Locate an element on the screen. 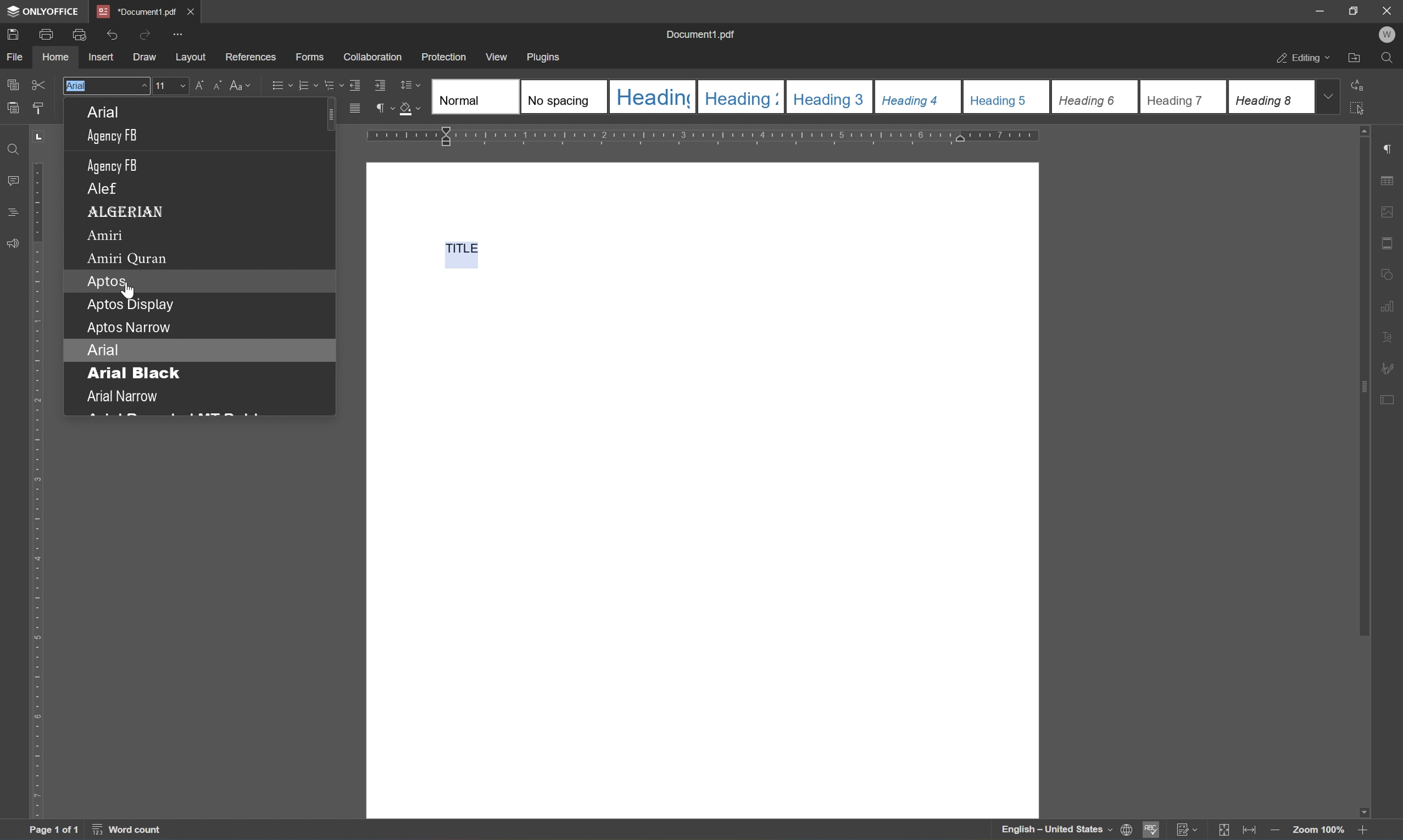 Image resolution: width=1403 pixels, height=840 pixels. image settings is located at coordinates (1391, 212).